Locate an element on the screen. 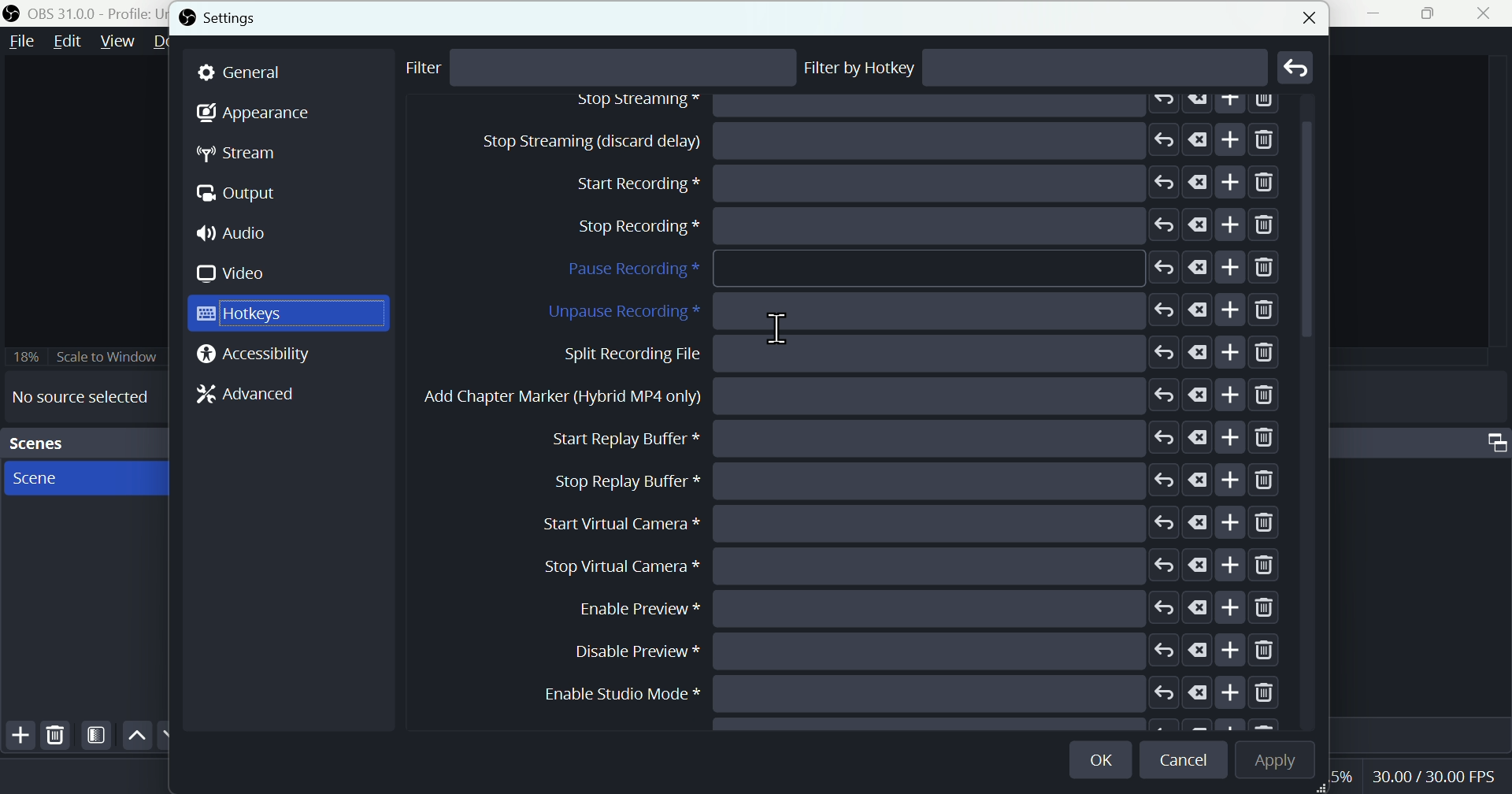 The width and height of the screenshot is (1512, 794).  text cursor is located at coordinates (782, 327).